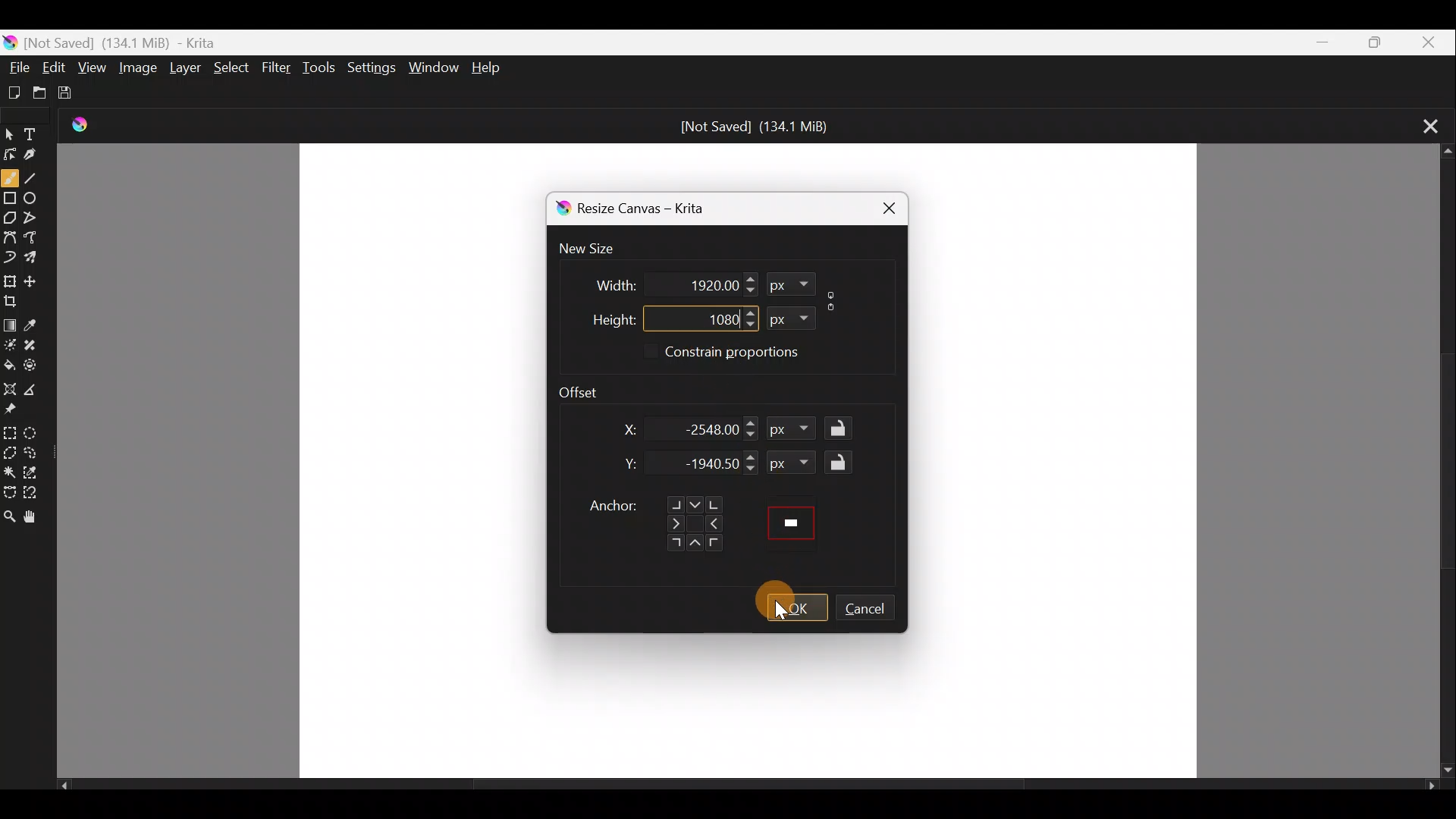  Describe the element at coordinates (11, 130) in the screenshot. I see `Select shapes tool` at that location.